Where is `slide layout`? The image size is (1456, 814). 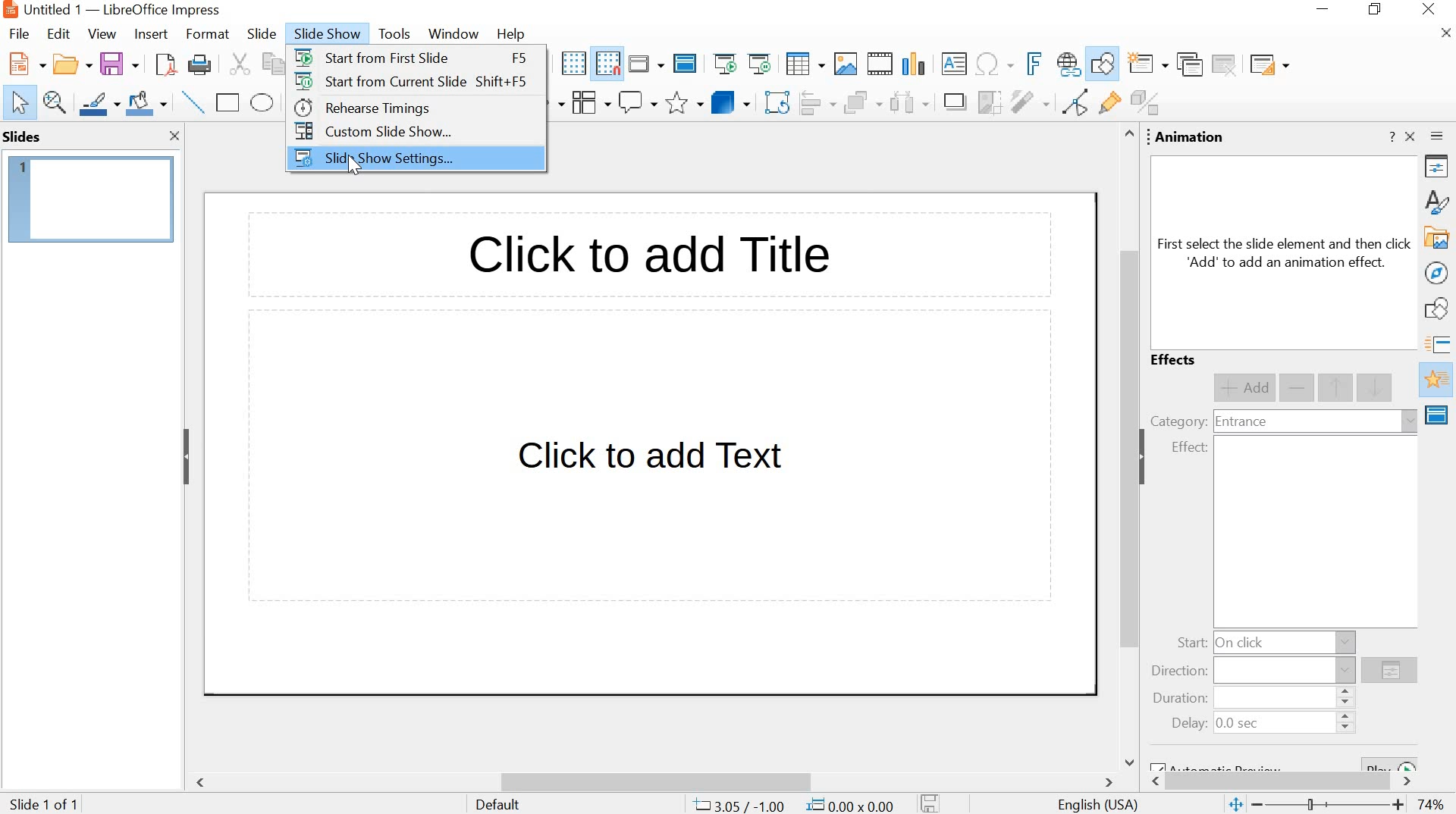
slide layout is located at coordinates (1268, 64).